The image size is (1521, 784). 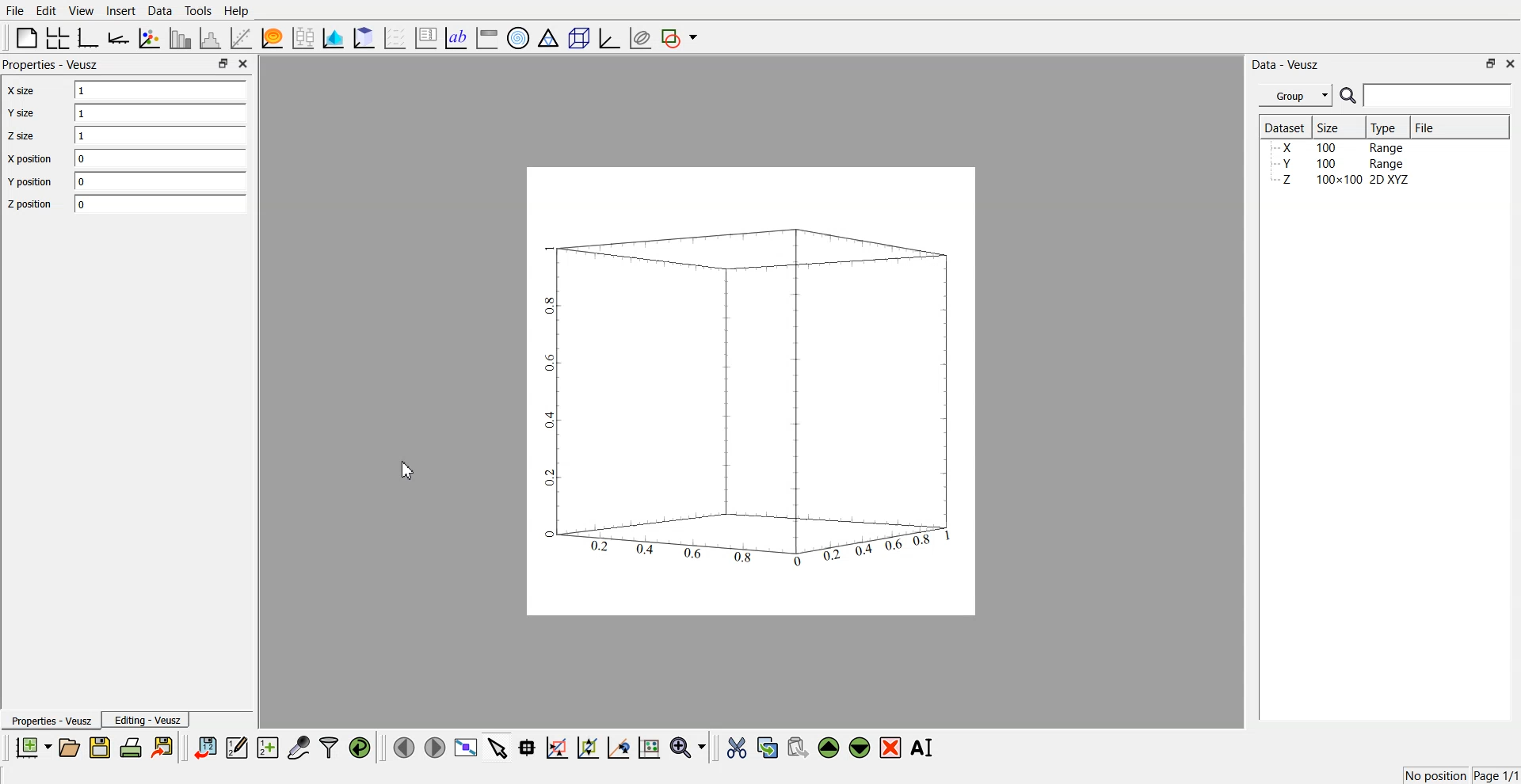 I want to click on Move to the previous page, so click(x=404, y=747).